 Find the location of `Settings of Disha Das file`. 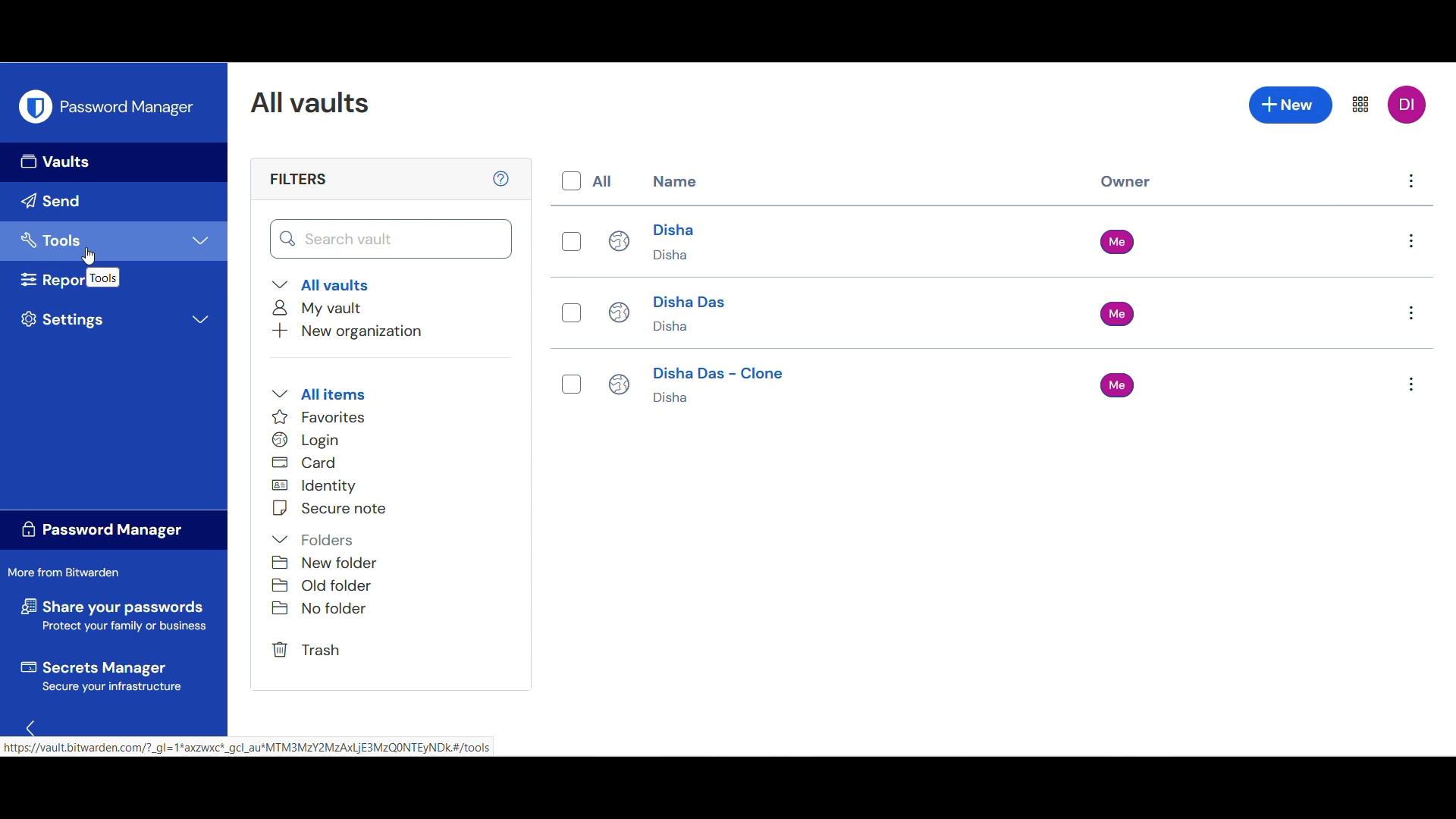

Settings of Disha Das file is located at coordinates (1411, 313).